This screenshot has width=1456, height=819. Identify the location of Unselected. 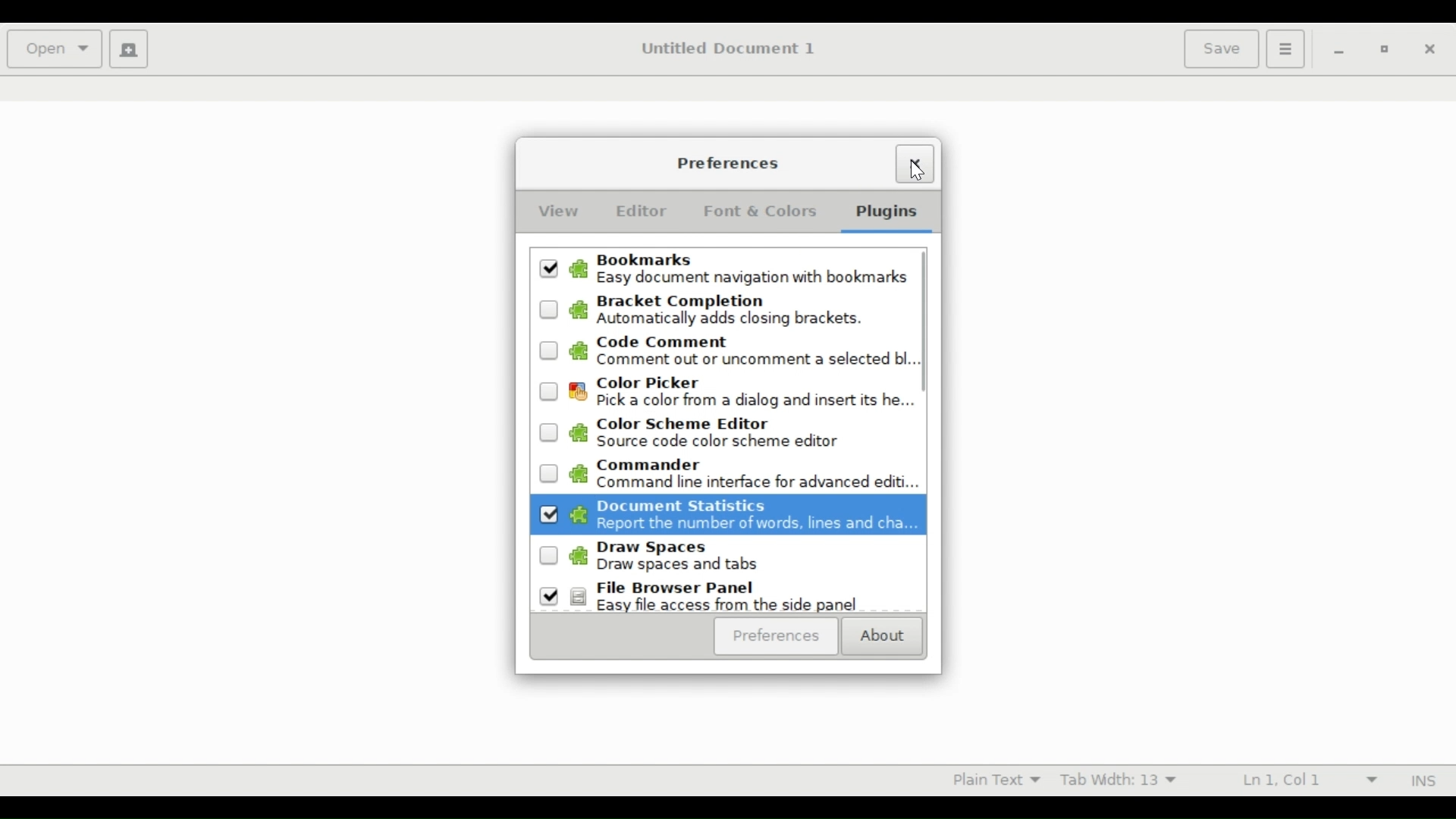
(549, 555).